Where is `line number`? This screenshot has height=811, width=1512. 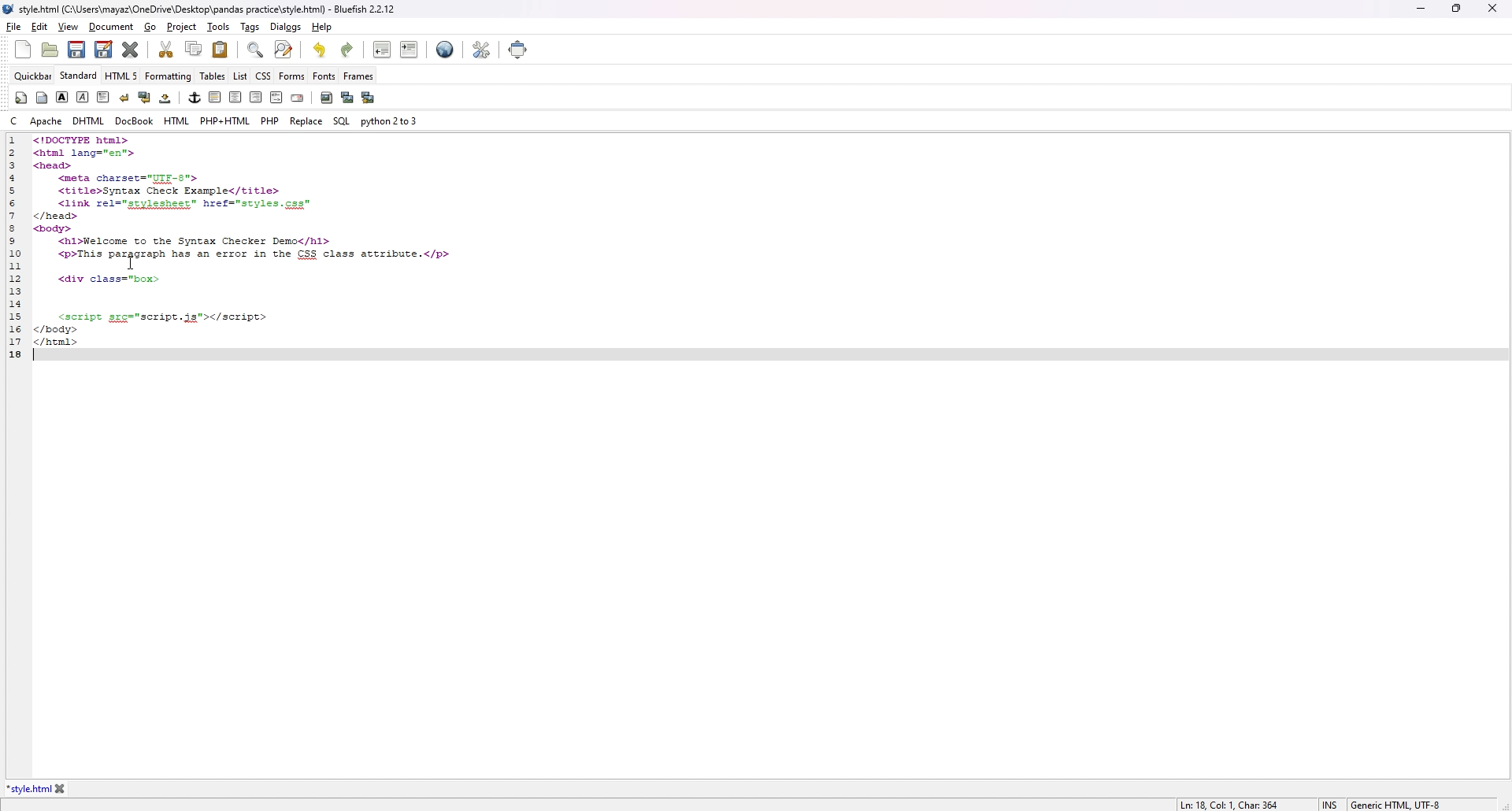
line number is located at coordinates (13, 247).